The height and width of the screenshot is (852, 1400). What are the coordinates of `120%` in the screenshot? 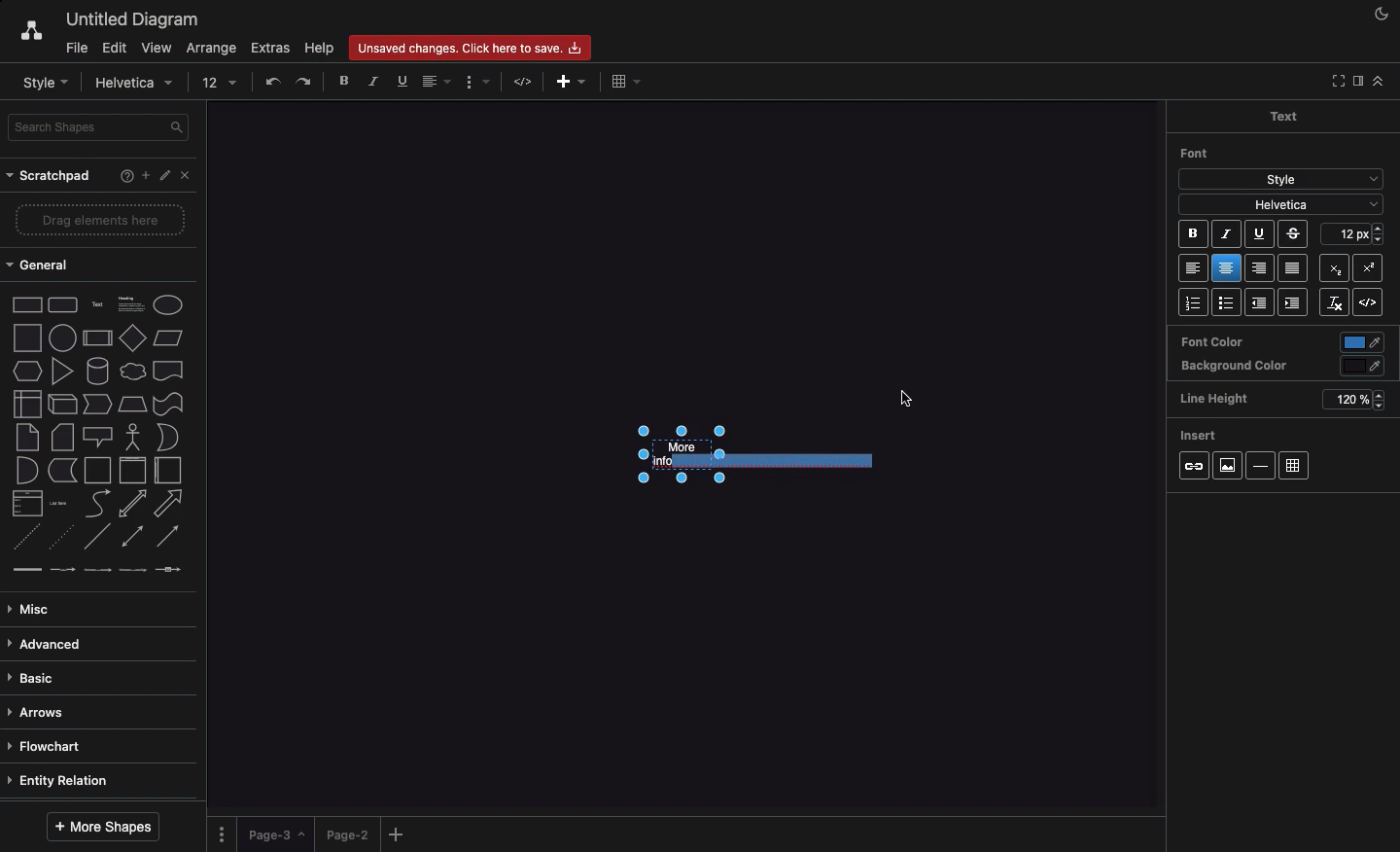 It's located at (1351, 401).